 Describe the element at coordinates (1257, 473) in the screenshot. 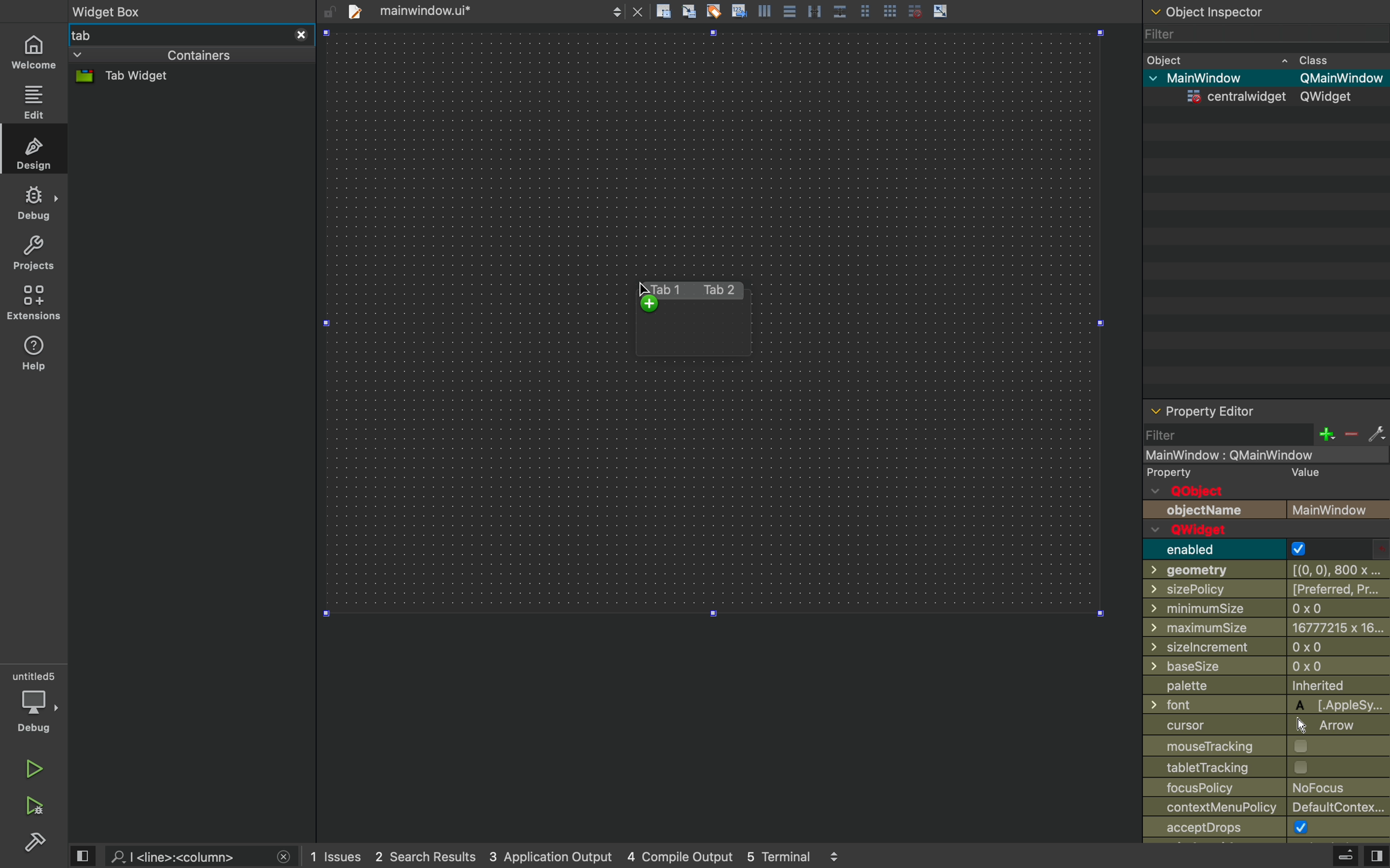

I see `property` at that location.